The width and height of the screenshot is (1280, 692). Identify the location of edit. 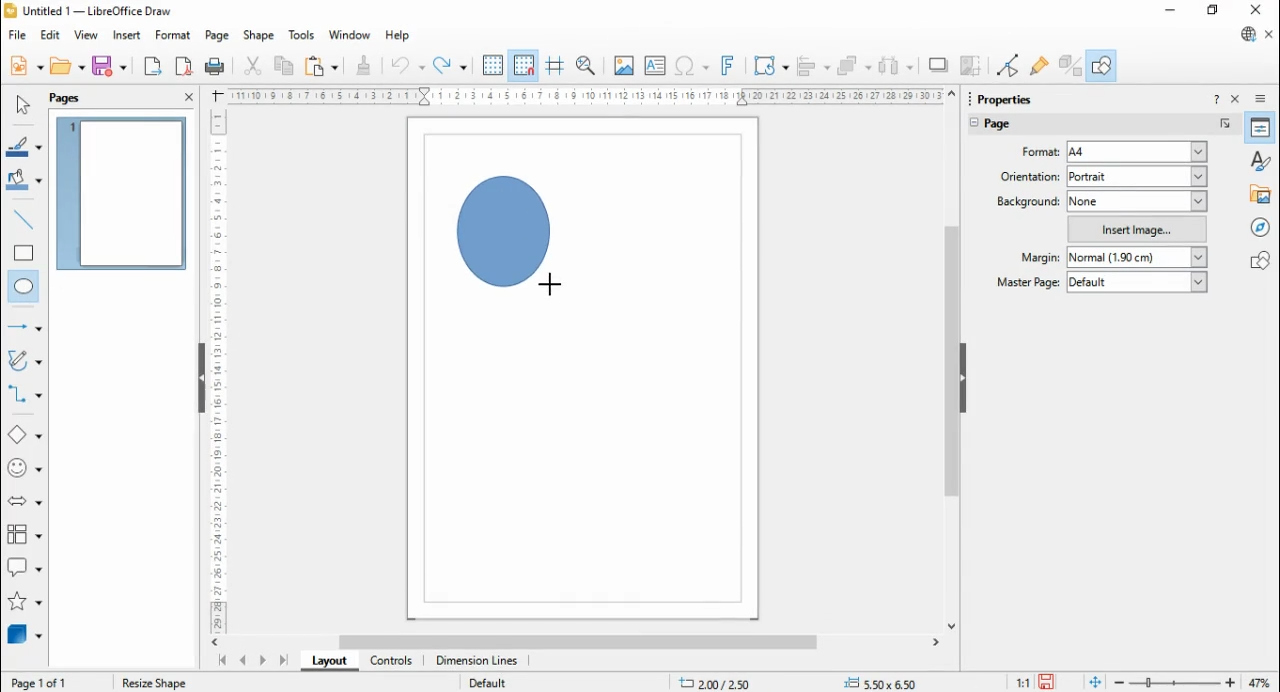
(50, 35).